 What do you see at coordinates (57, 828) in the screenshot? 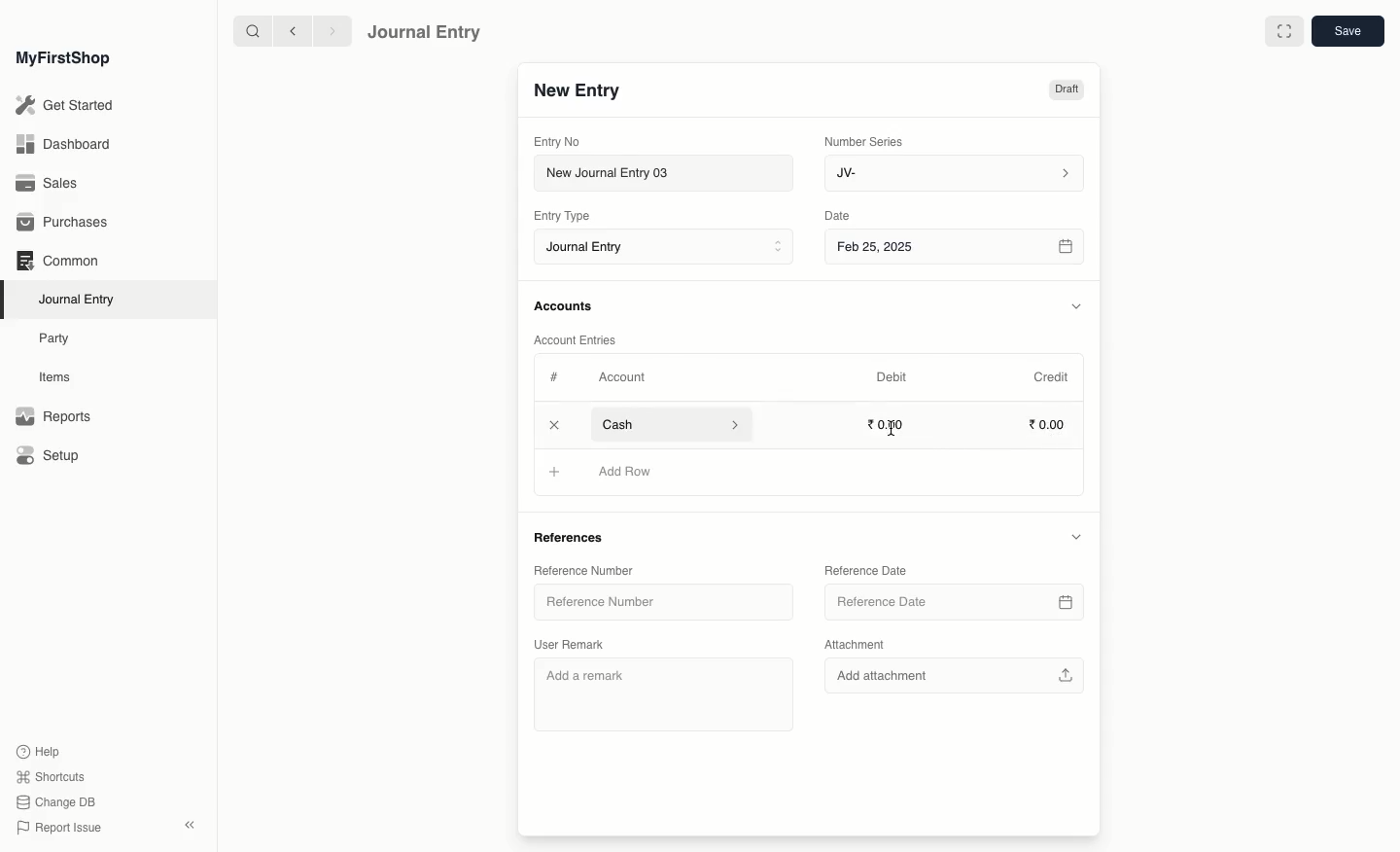
I see `Report Issue` at bounding box center [57, 828].